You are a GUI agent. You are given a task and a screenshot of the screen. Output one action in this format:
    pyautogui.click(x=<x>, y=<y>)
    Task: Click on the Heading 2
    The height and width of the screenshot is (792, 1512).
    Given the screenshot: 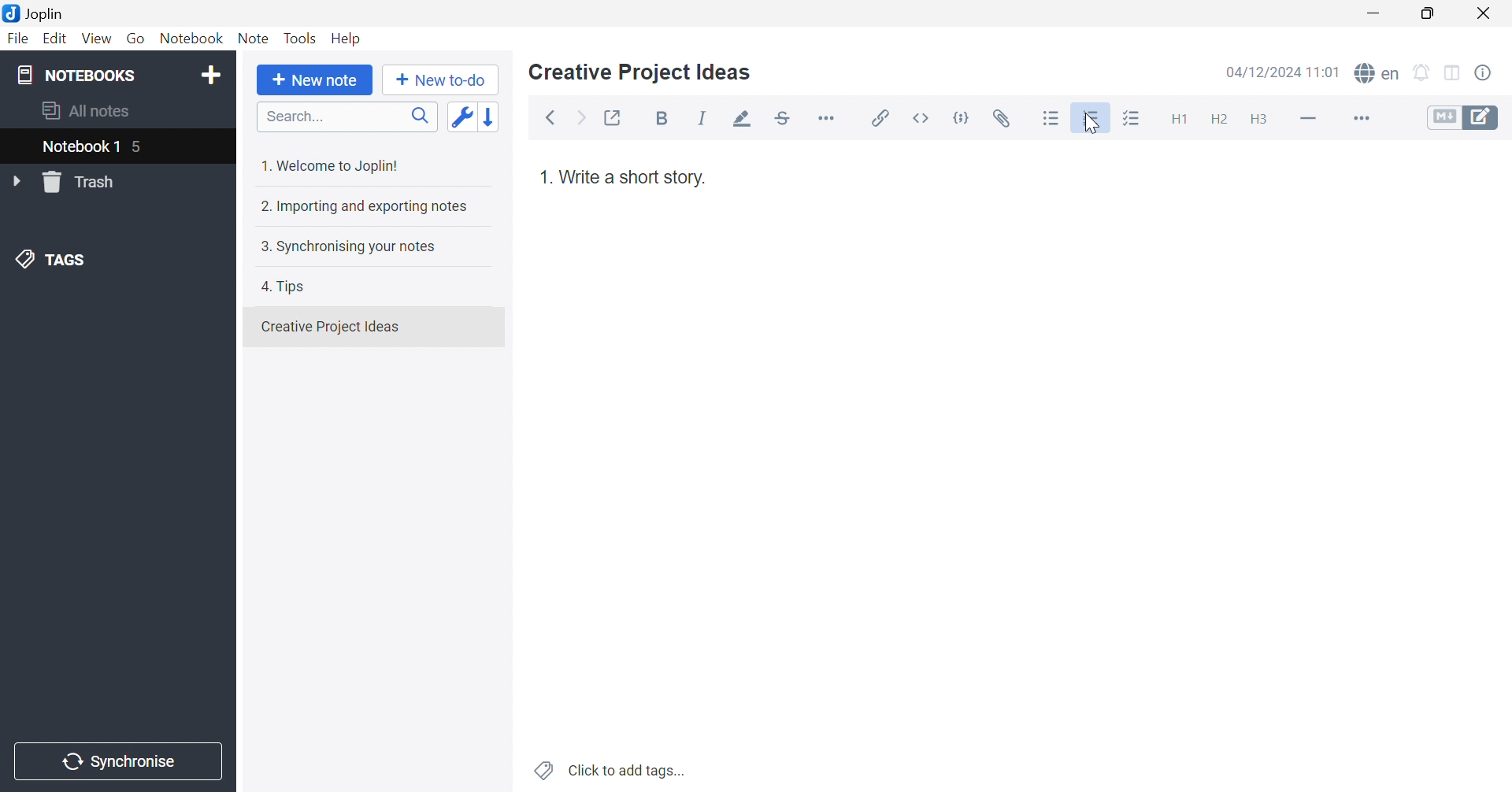 What is the action you would take?
    pyautogui.click(x=1221, y=121)
    